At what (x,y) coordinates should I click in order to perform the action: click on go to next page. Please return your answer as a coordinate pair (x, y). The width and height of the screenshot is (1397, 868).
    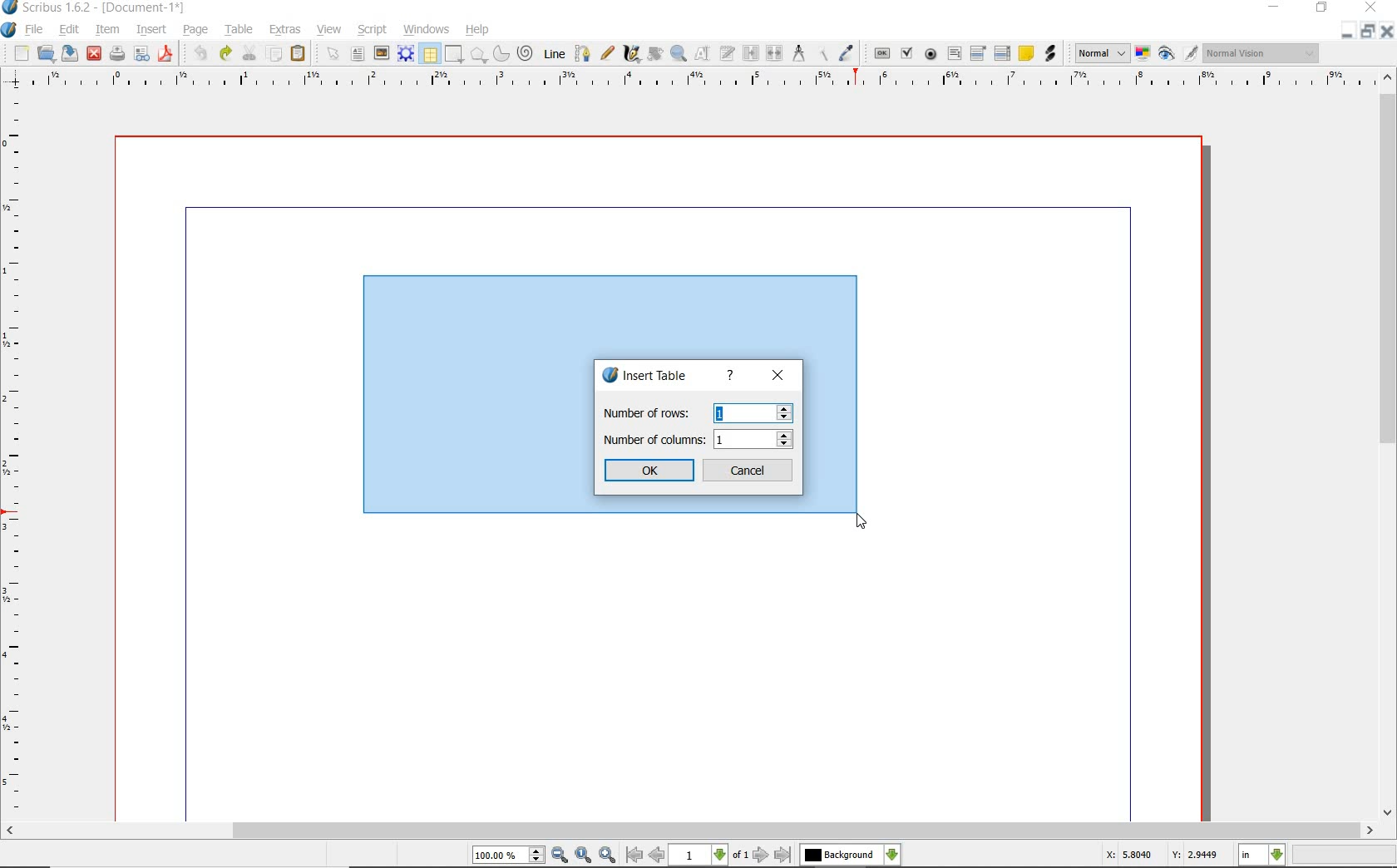
    Looking at the image, I should click on (761, 855).